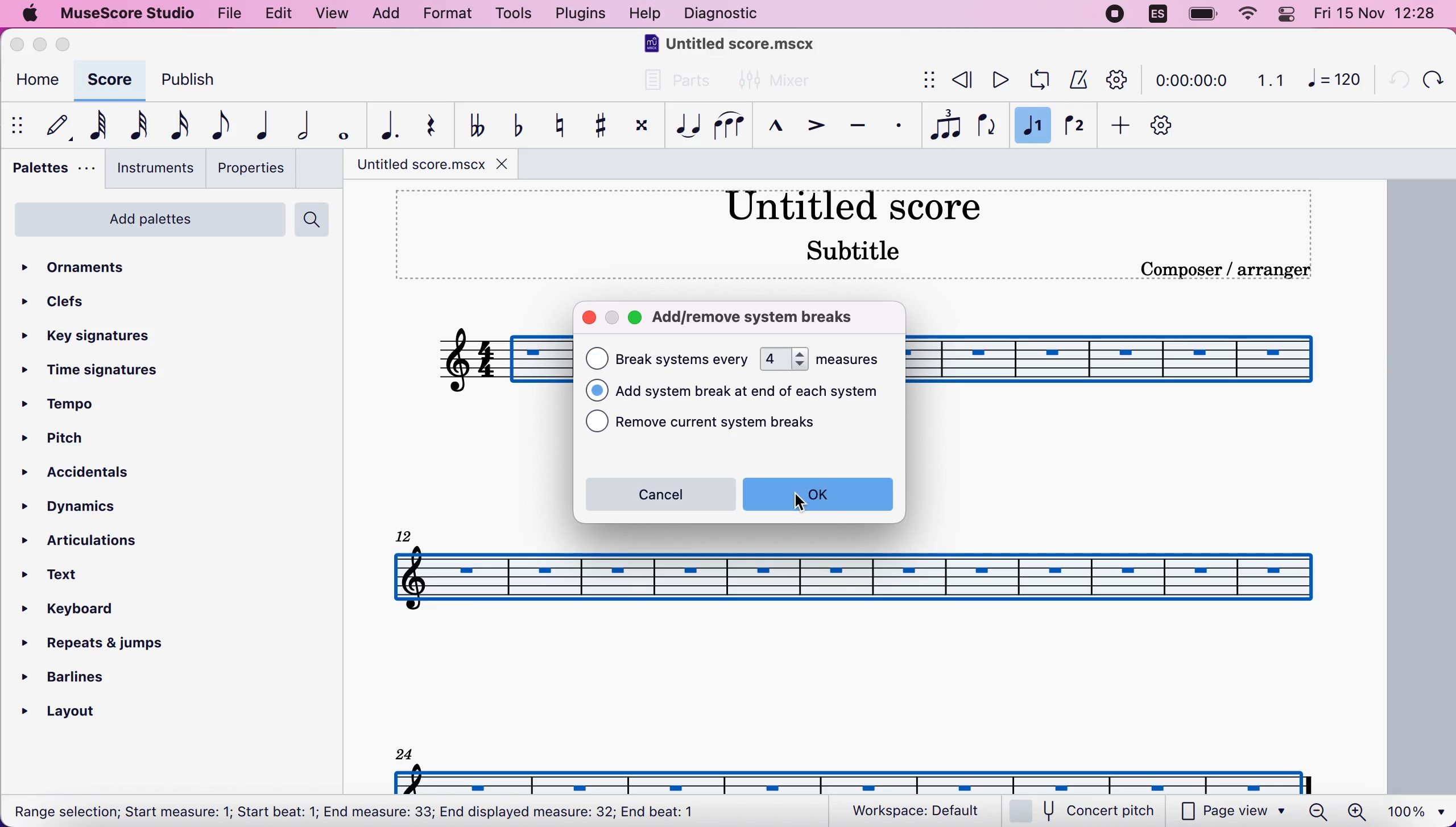  What do you see at coordinates (685, 126) in the screenshot?
I see `tie` at bounding box center [685, 126].